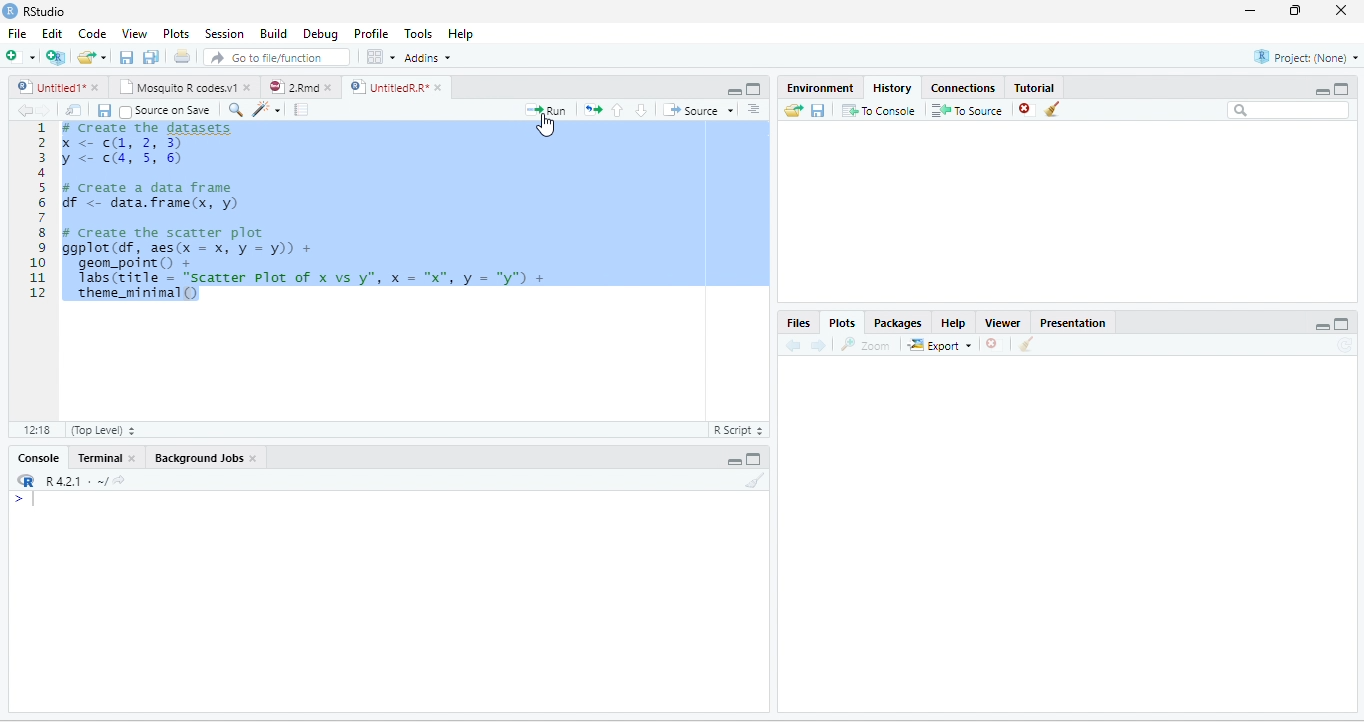 The image size is (1364, 722). Describe the element at coordinates (246, 87) in the screenshot. I see `close` at that location.